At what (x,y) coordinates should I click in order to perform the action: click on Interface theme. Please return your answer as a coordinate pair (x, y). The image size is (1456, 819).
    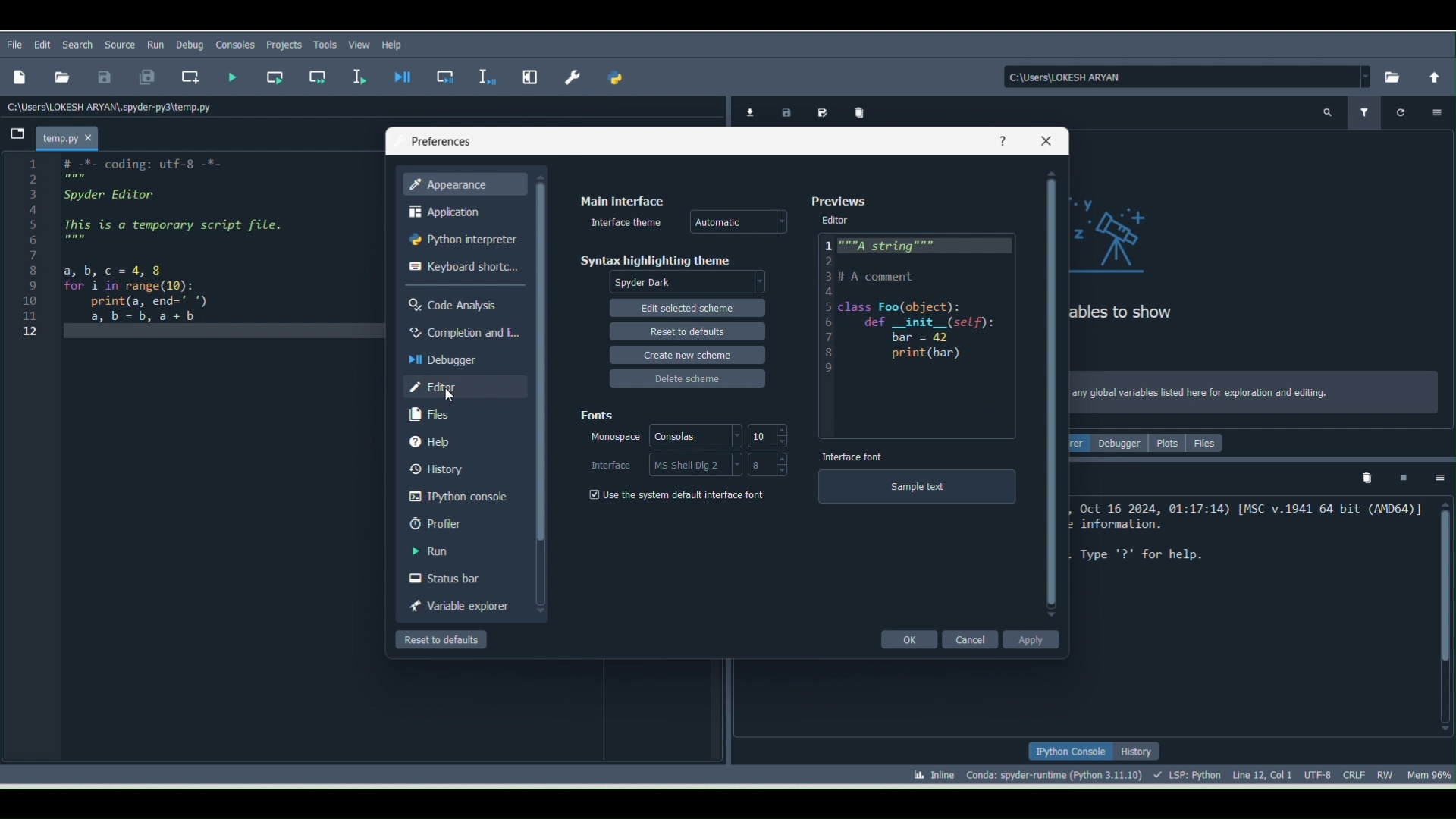
    Looking at the image, I should click on (627, 222).